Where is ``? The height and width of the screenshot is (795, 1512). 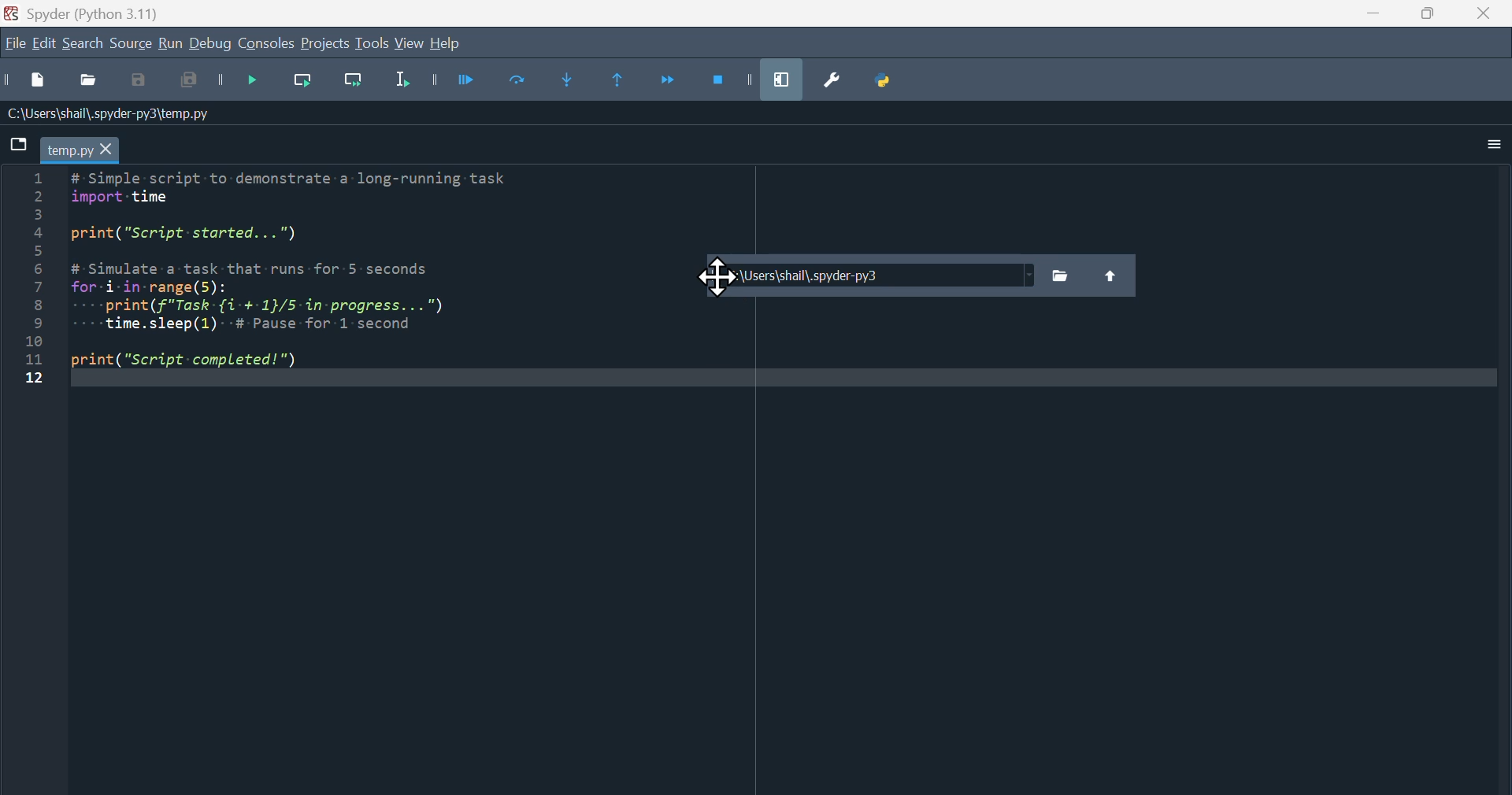  is located at coordinates (190, 85).